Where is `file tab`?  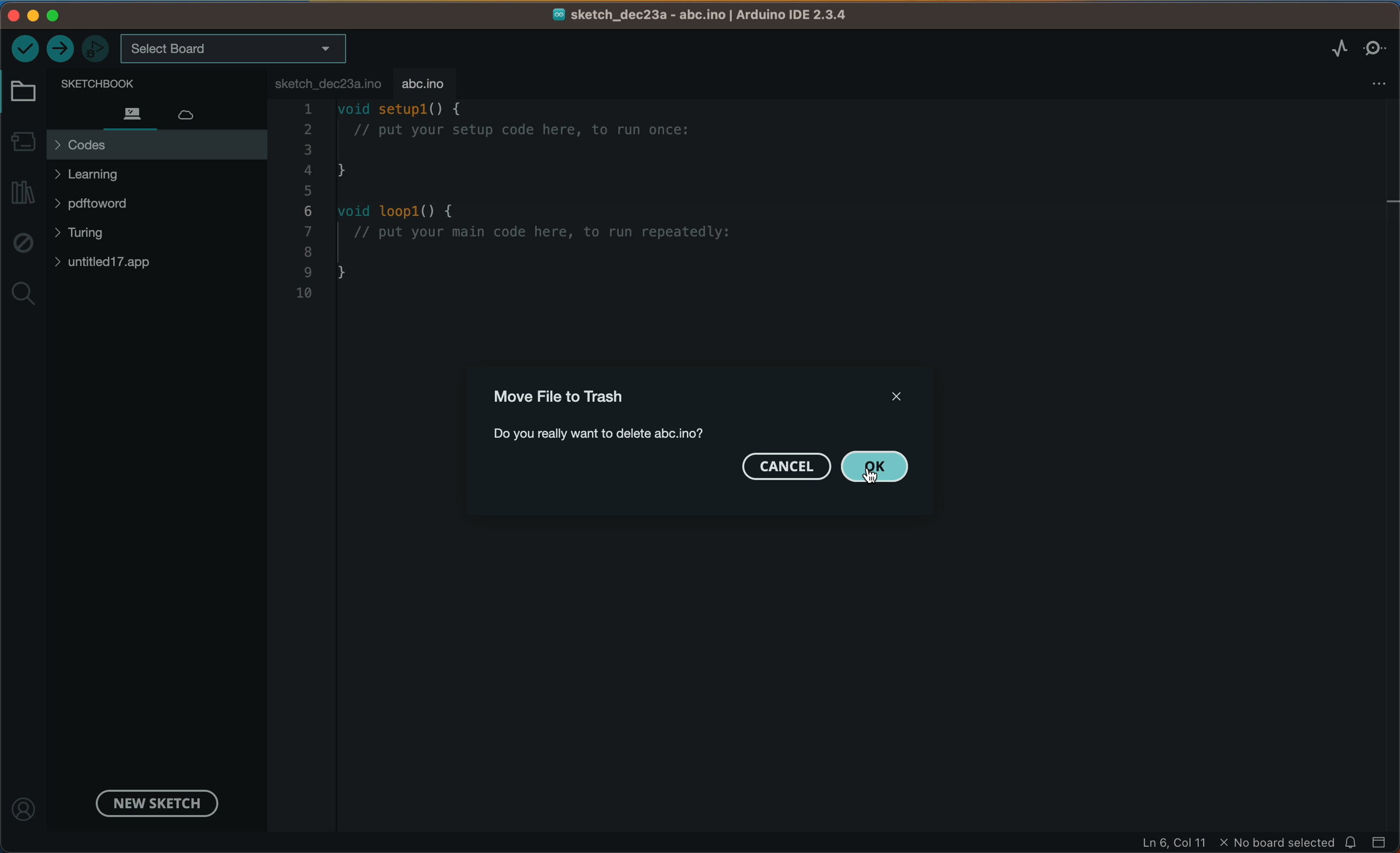
file tab is located at coordinates (331, 85).